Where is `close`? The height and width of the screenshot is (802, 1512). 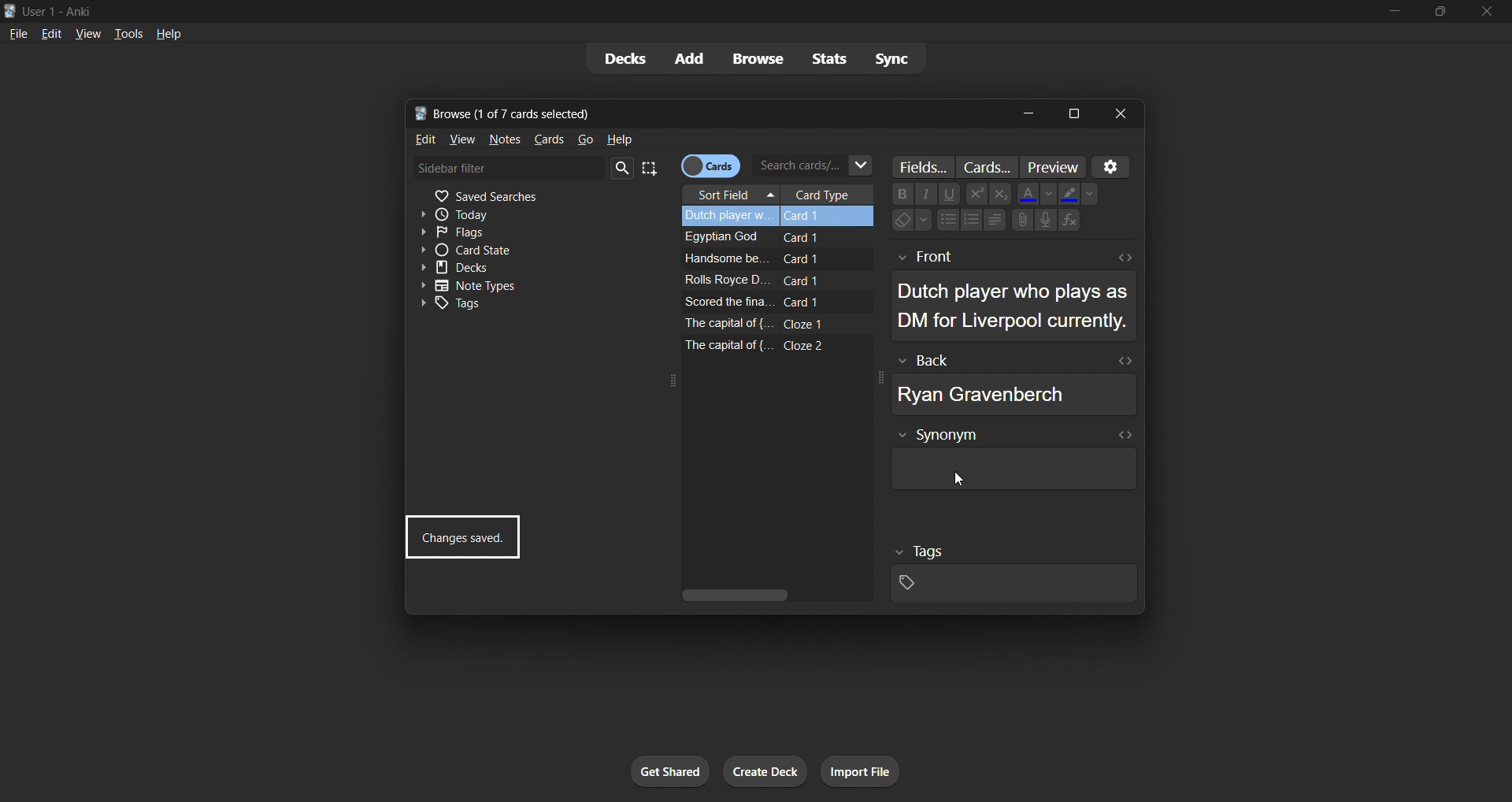 close is located at coordinates (1121, 113).